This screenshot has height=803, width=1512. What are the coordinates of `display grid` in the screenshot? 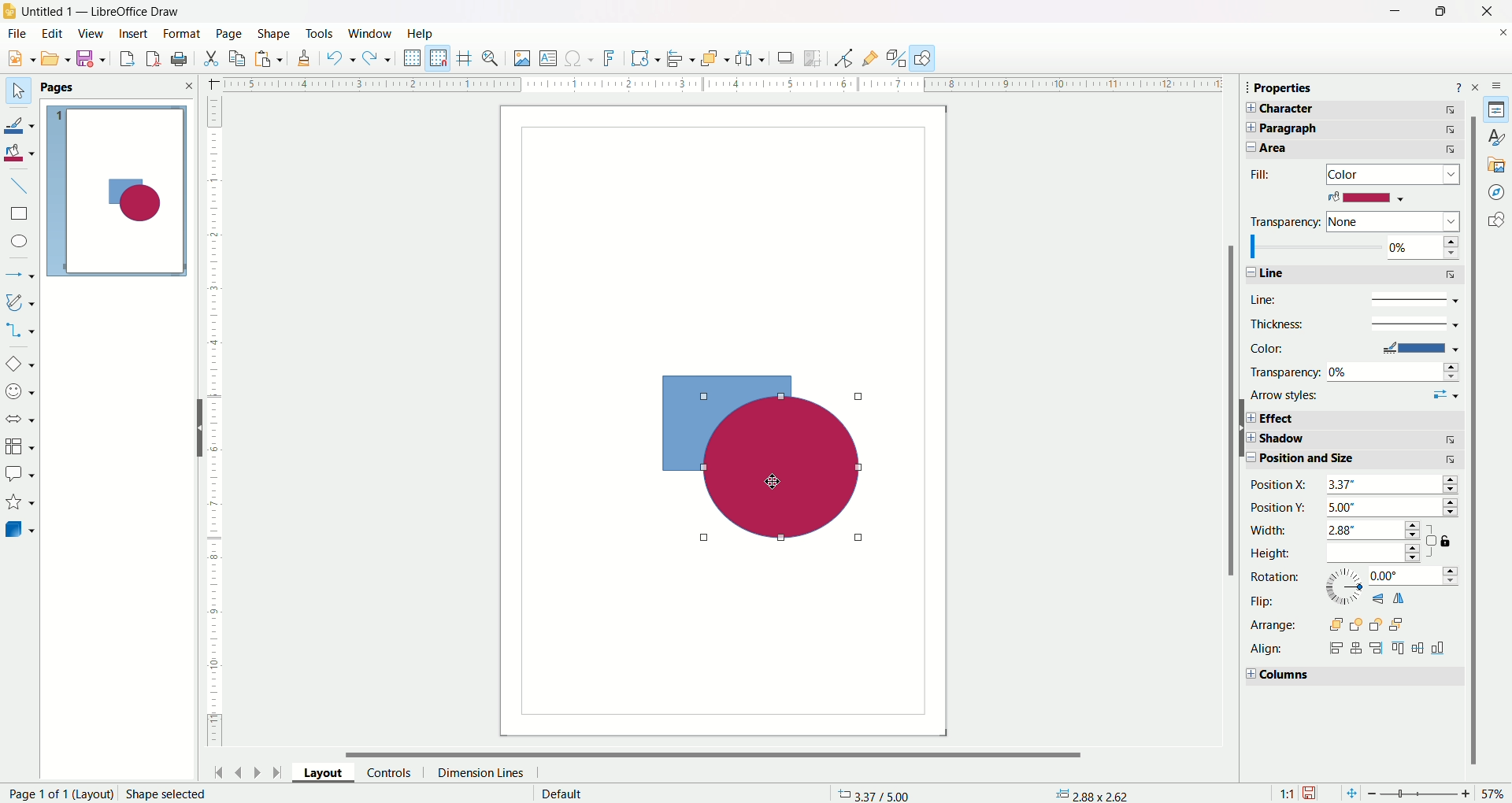 It's located at (413, 59).